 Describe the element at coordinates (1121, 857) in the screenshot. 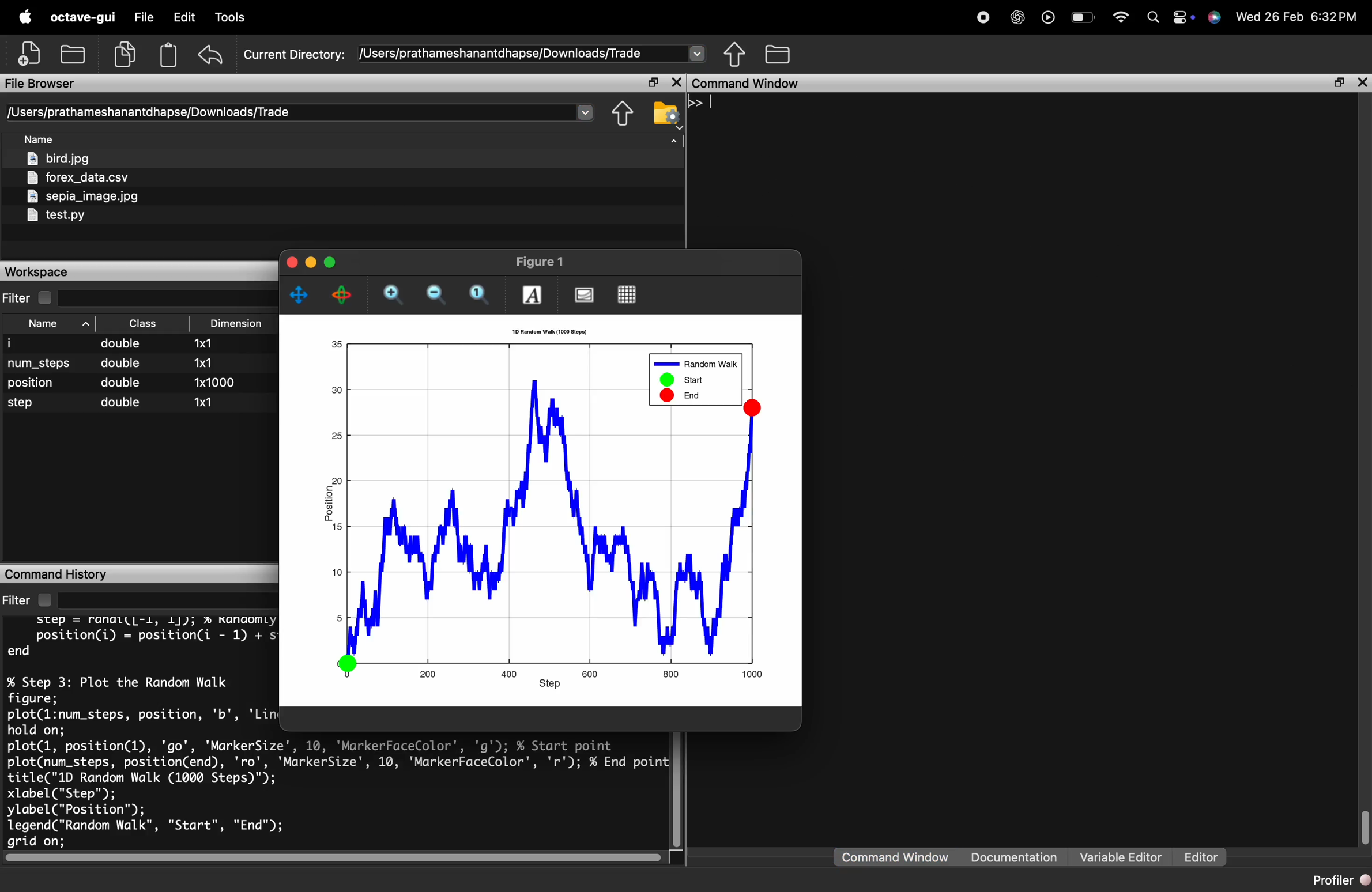

I see `variable editor` at that location.